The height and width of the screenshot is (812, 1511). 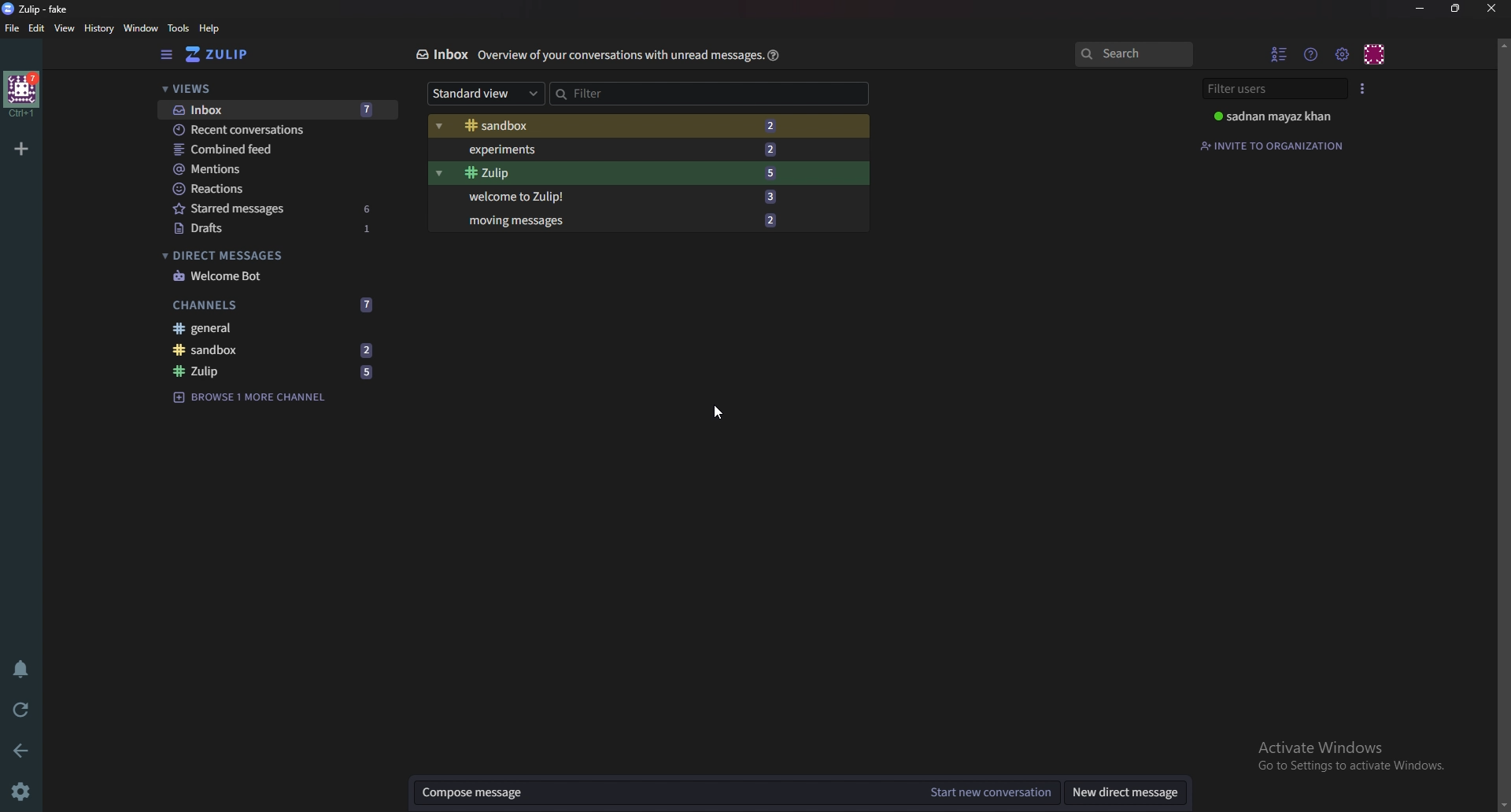 What do you see at coordinates (39, 9) in the screenshot?
I see `zulip-fake` at bounding box center [39, 9].